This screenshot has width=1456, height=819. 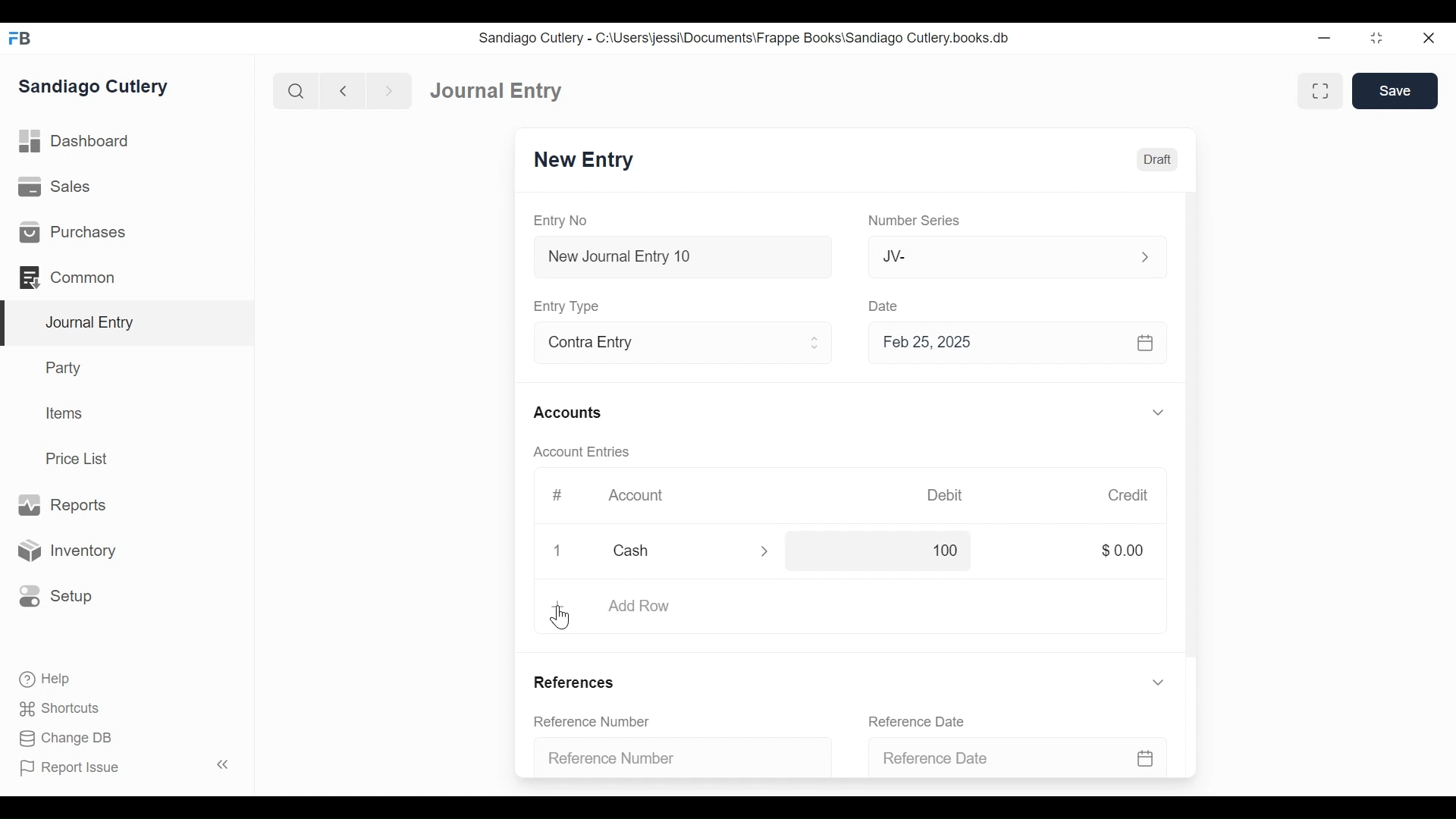 I want to click on Credit, so click(x=1131, y=497).